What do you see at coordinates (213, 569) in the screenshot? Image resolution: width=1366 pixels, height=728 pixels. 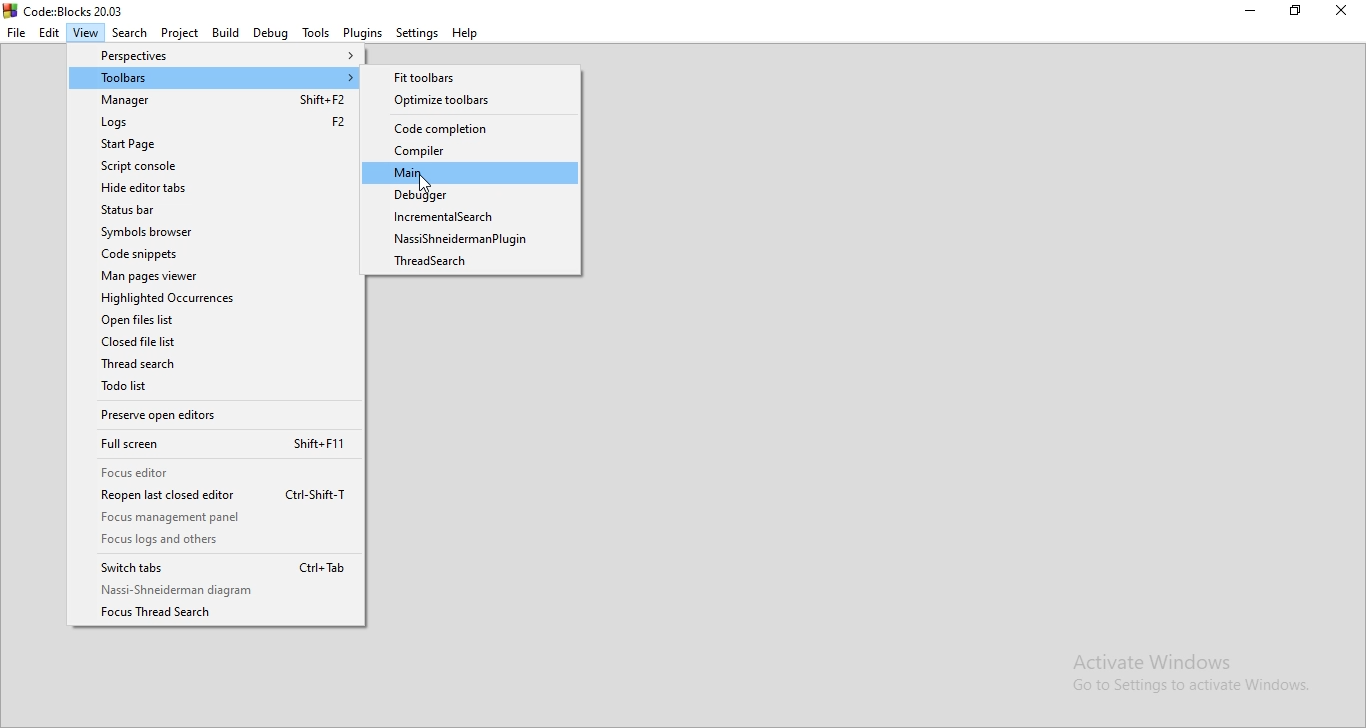 I see `Switch tabs` at bounding box center [213, 569].